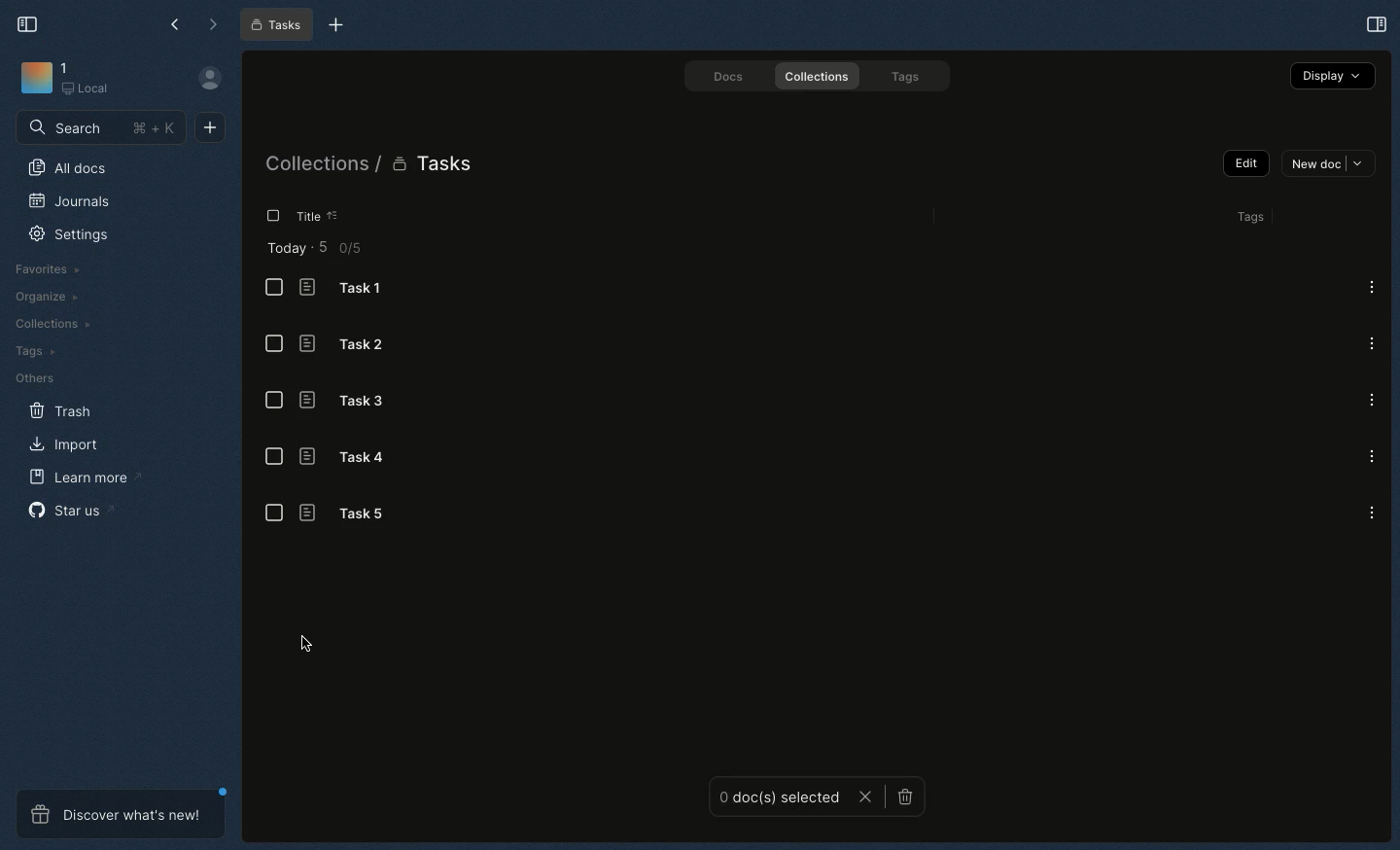  I want to click on New doc, so click(1327, 163).